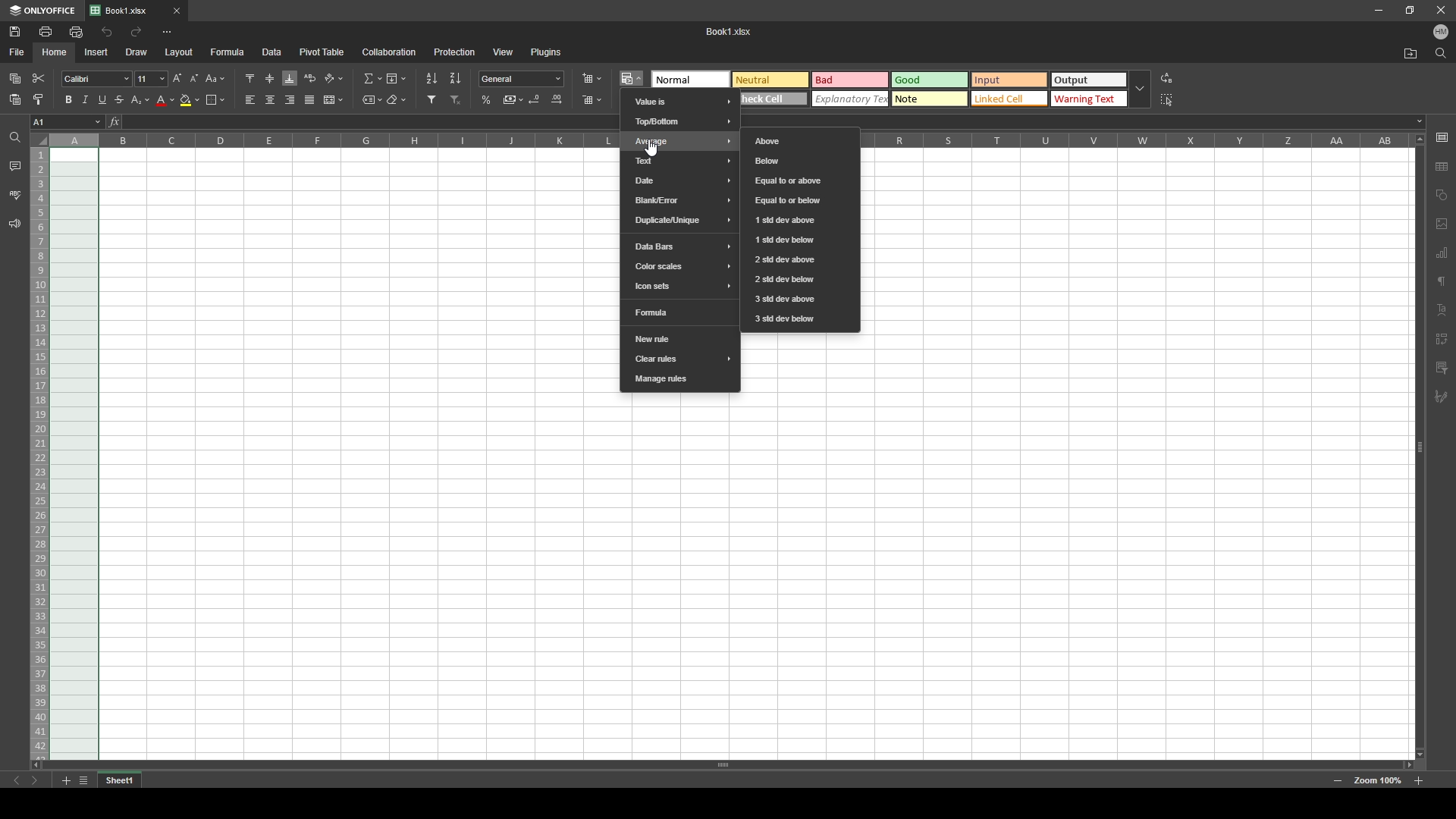 This screenshot has height=819, width=1456. I want to click on cells, so click(741, 578).